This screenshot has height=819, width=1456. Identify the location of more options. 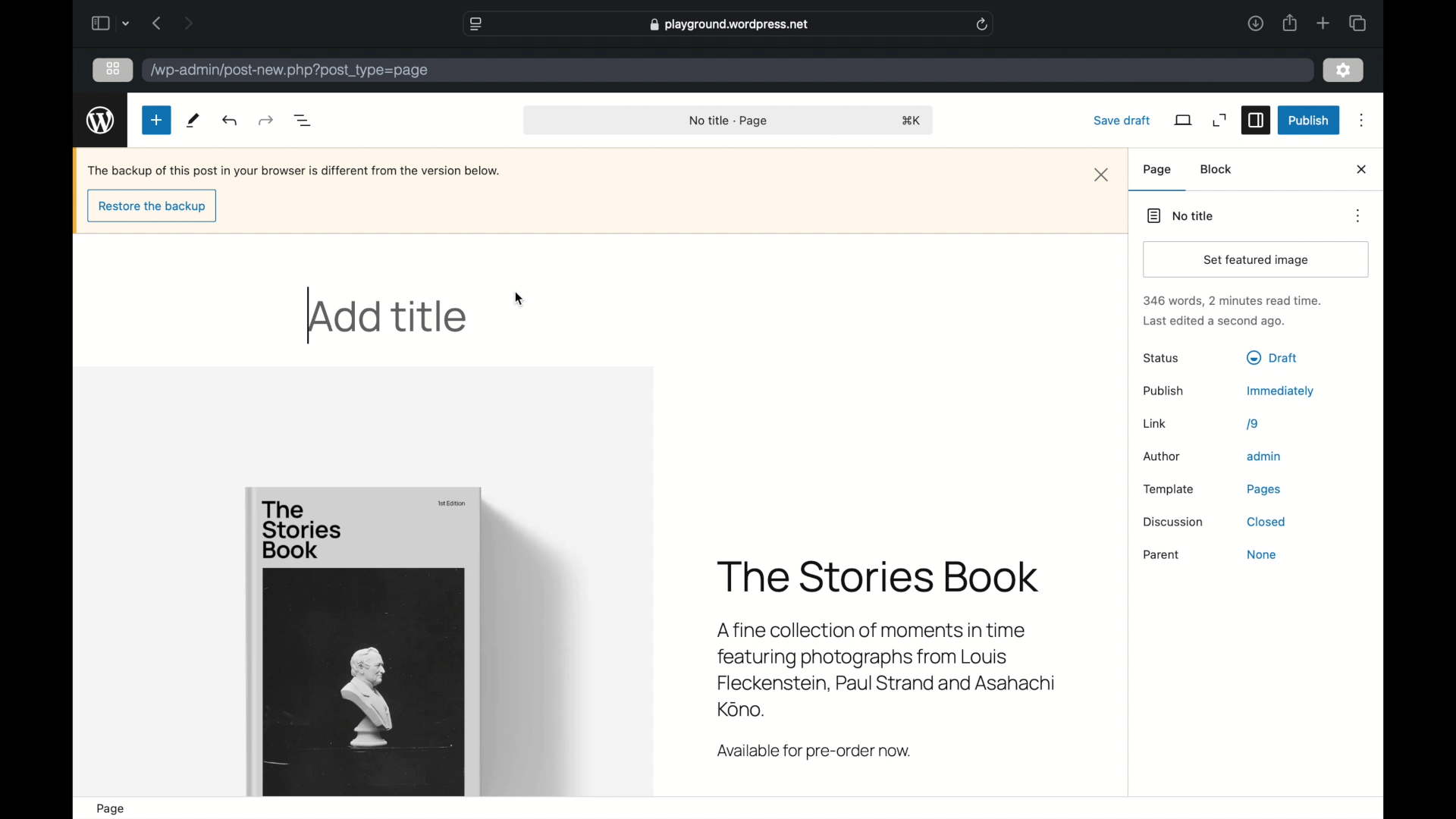
(1362, 121).